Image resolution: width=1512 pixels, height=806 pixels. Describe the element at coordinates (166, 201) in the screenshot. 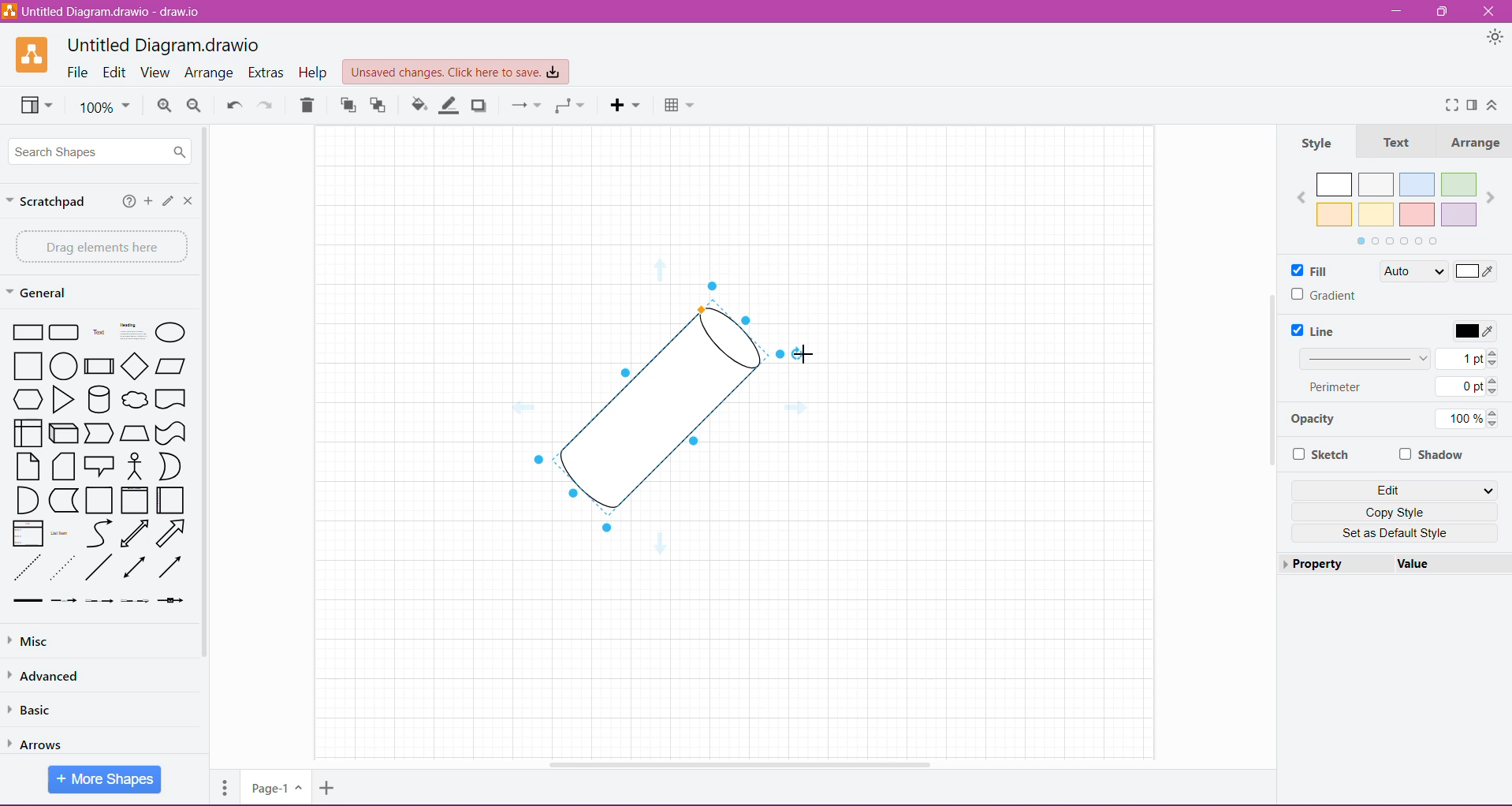

I see `Edit` at that location.